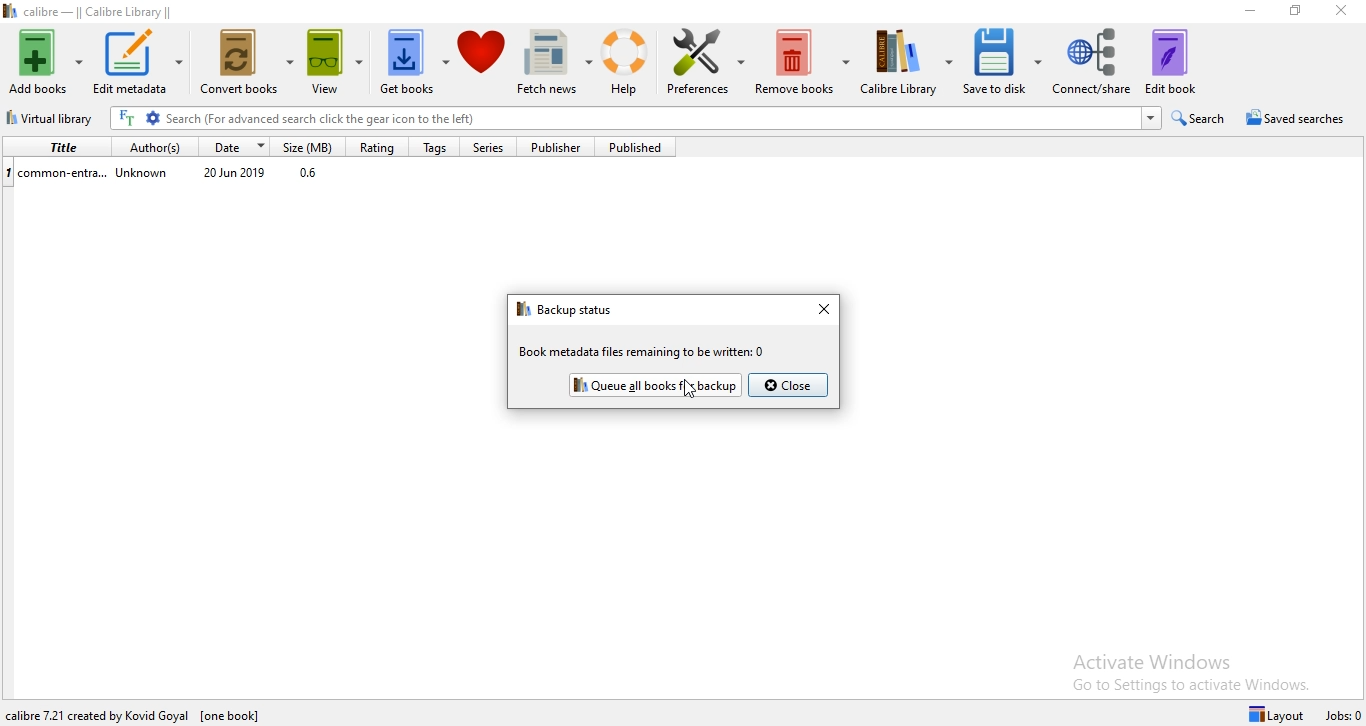 The width and height of the screenshot is (1366, 726). I want to click on 0.6, so click(313, 175).